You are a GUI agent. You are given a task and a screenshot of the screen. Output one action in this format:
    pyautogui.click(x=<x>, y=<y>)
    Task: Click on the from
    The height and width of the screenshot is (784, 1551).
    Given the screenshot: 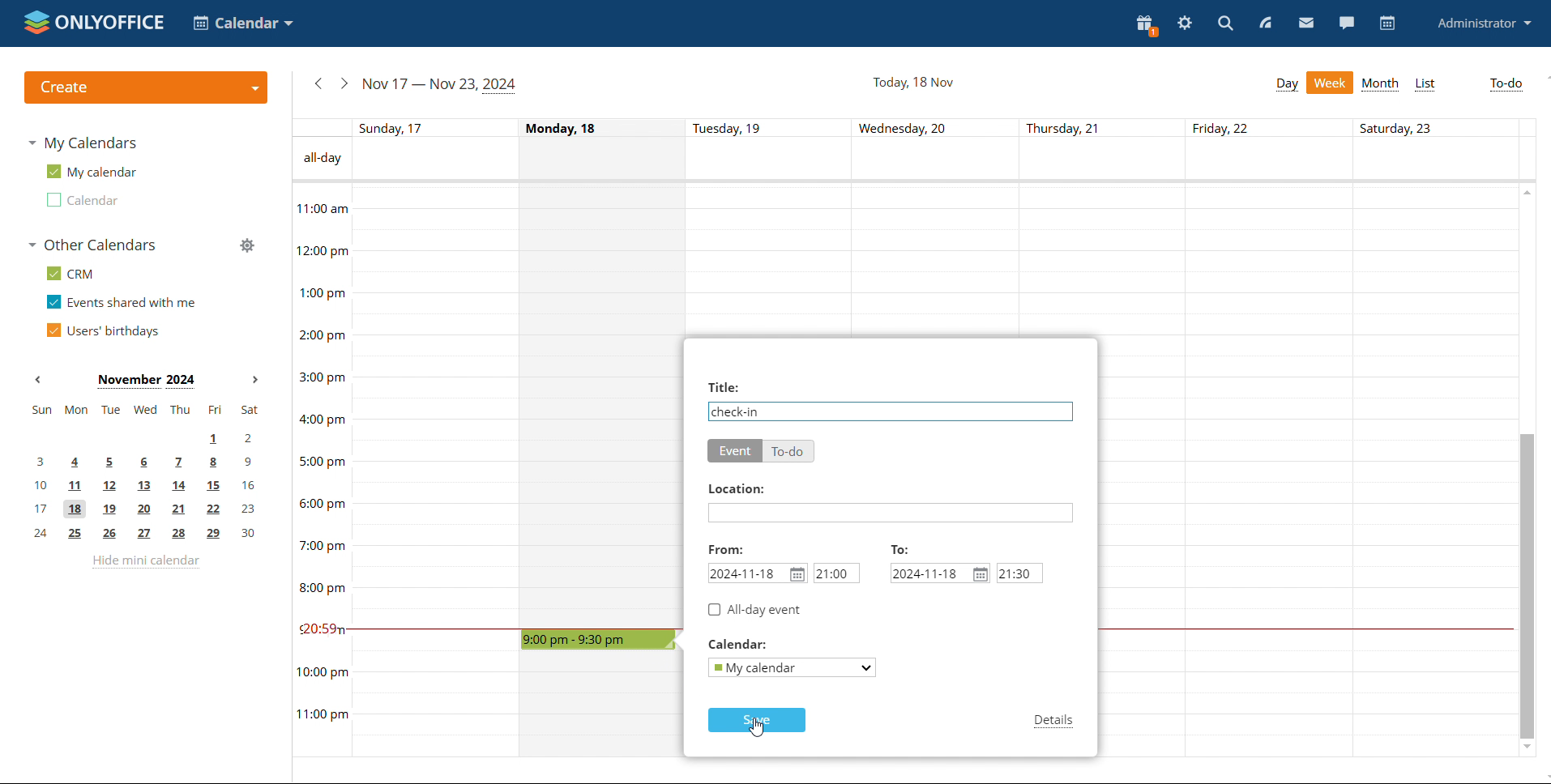 What is the action you would take?
    pyautogui.click(x=728, y=548)
    